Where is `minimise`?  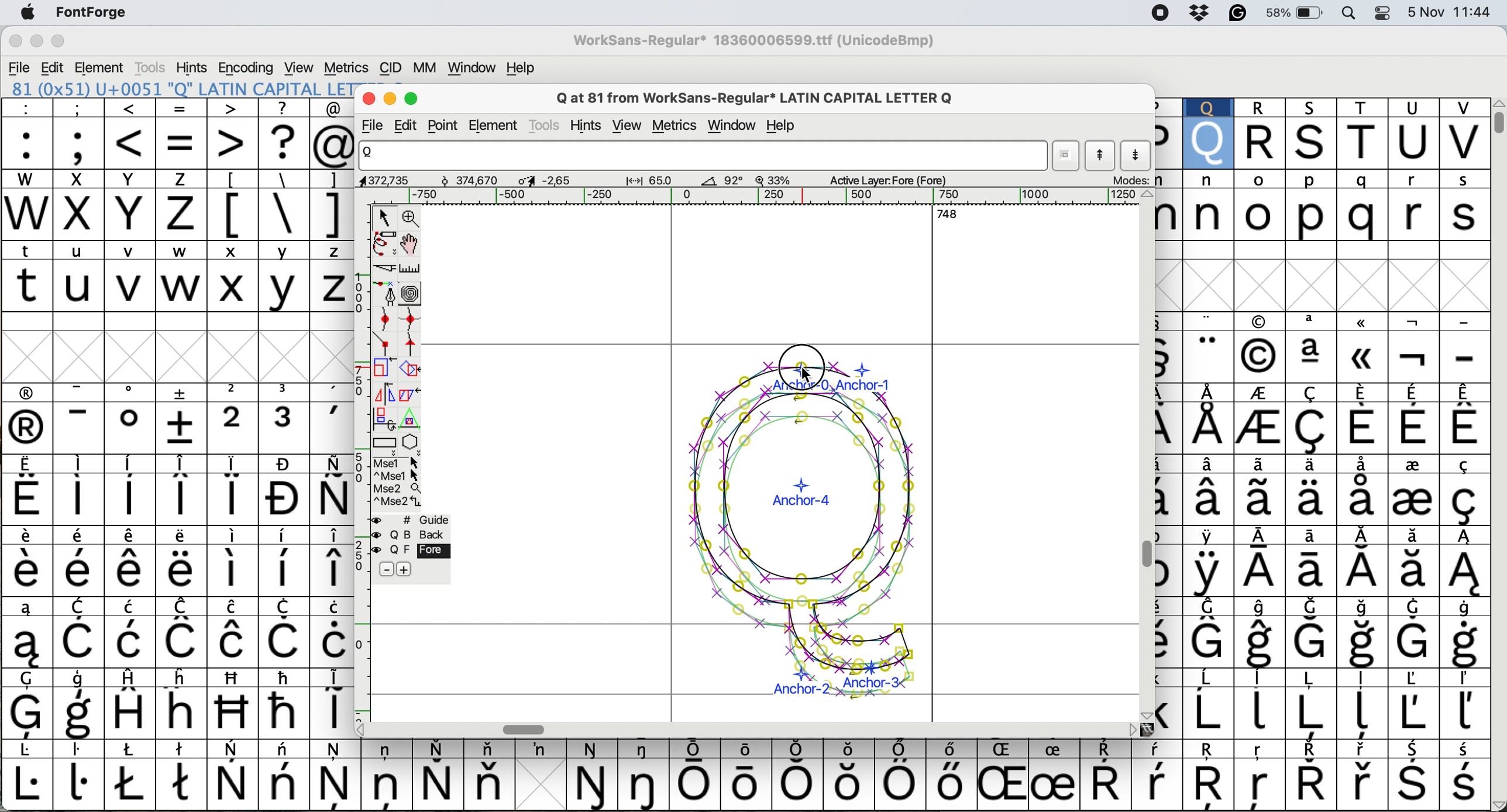
minimise is located at coordinates (390, 99).